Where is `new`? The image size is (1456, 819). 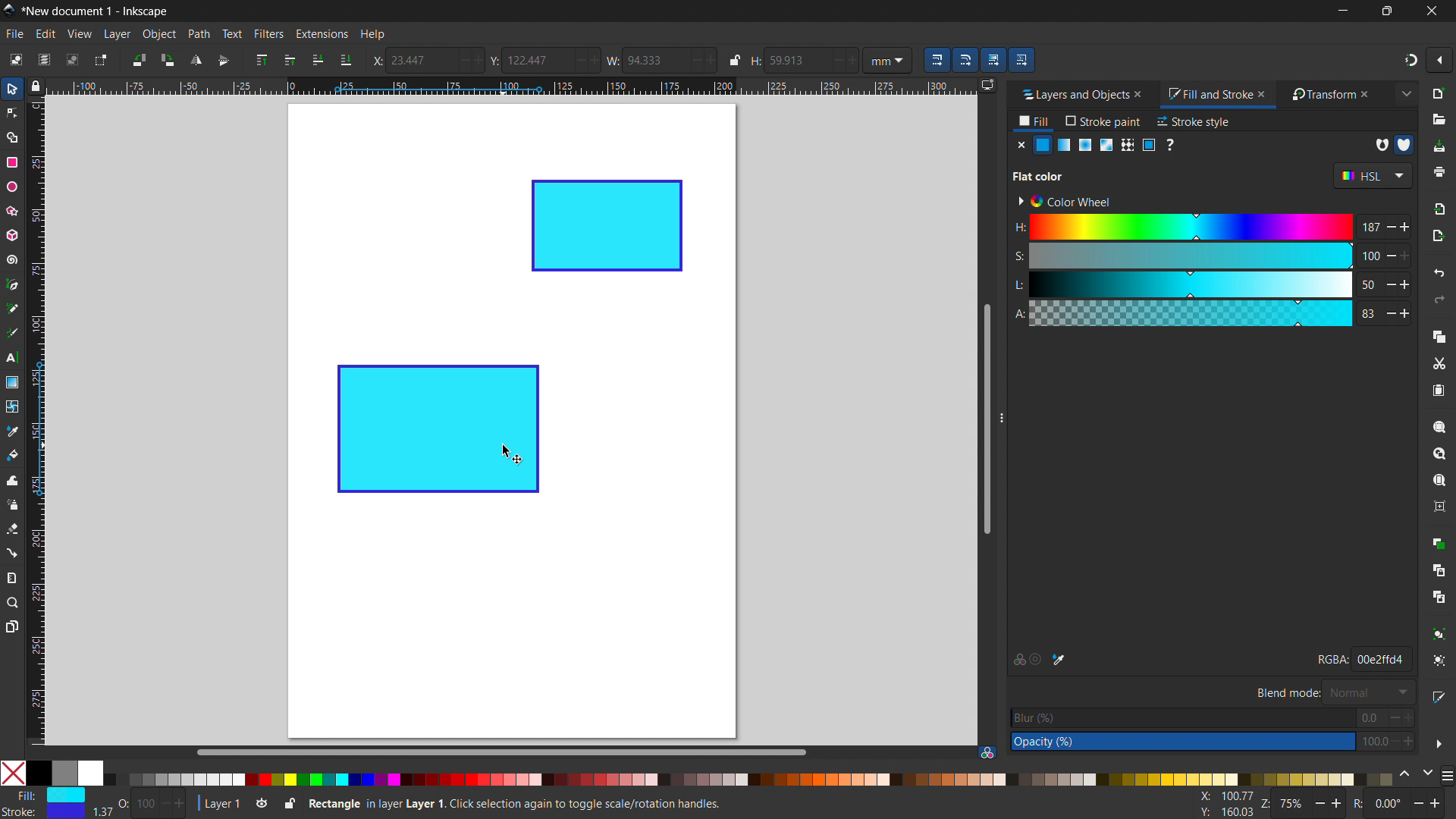
new is located at coordinates (1440, 93).